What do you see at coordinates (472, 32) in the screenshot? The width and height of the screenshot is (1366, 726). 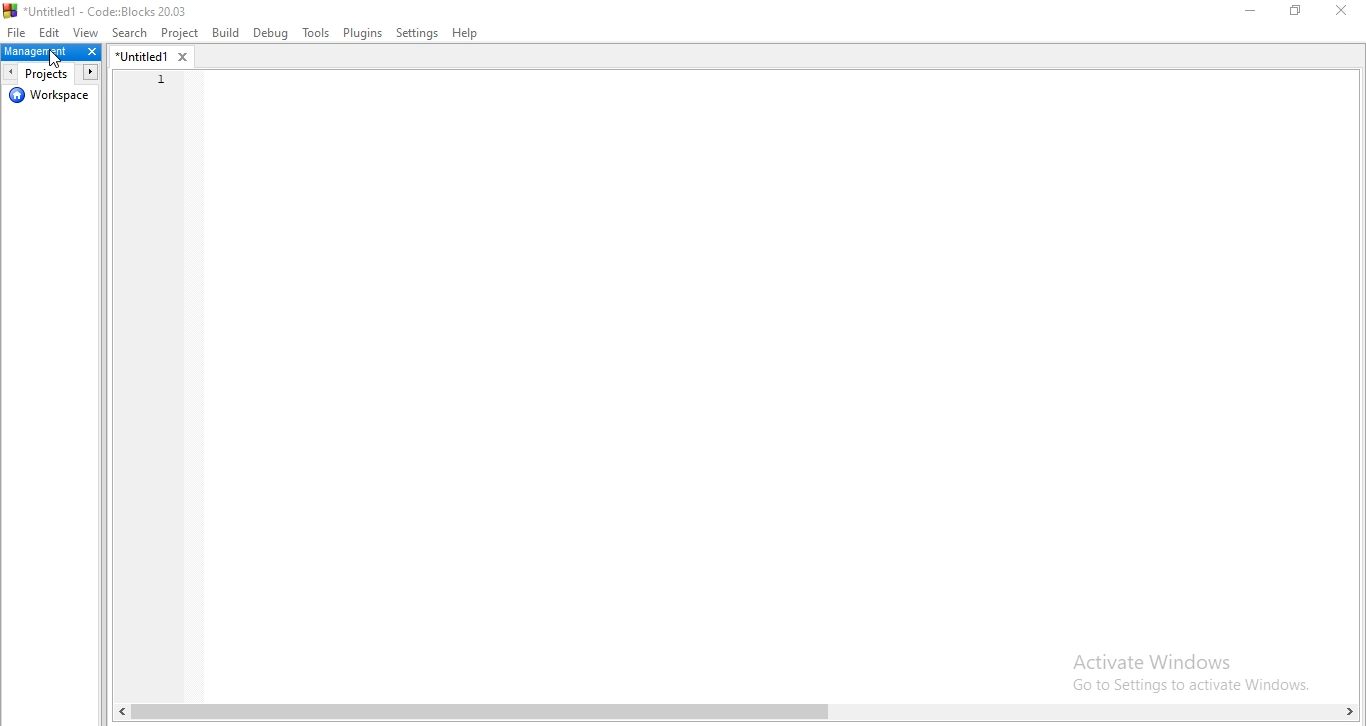 I see `Help` at bounding box center [472, 32].